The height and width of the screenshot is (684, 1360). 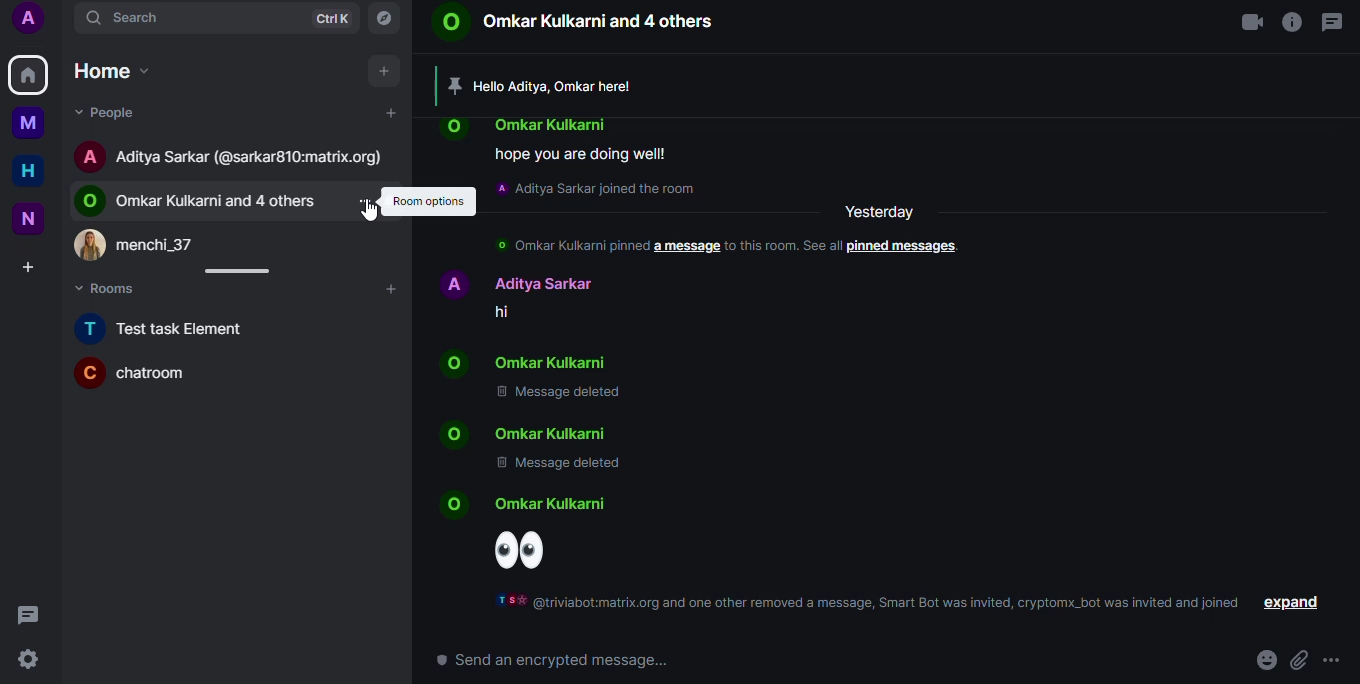 I want to click on video call, so click(x=1243, y=21).